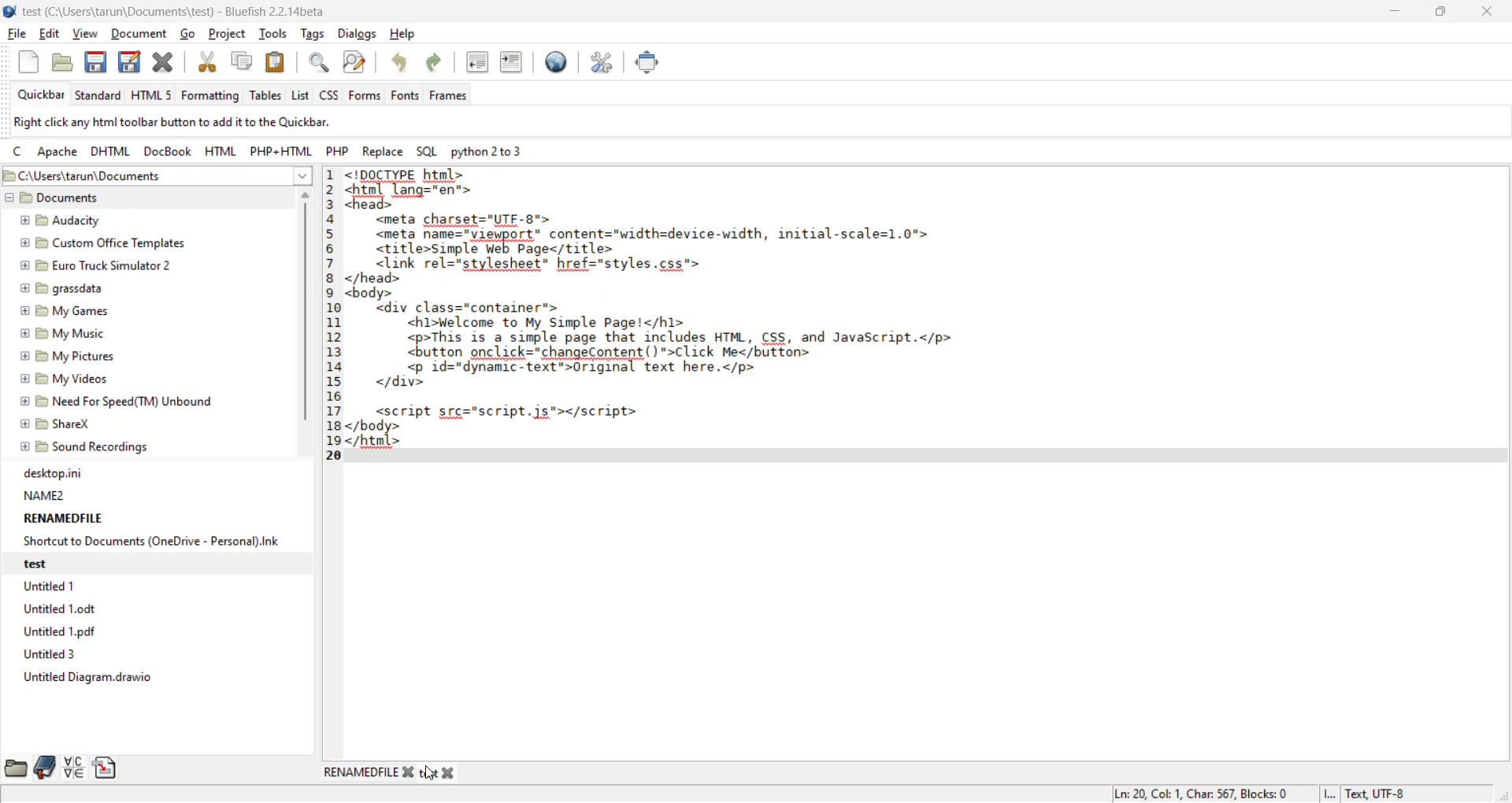 The height and width of the screenshot is (803, 1512). Describe the element at coordinates (361, 772) in the screenshot. I see `renamedfile` at that location.